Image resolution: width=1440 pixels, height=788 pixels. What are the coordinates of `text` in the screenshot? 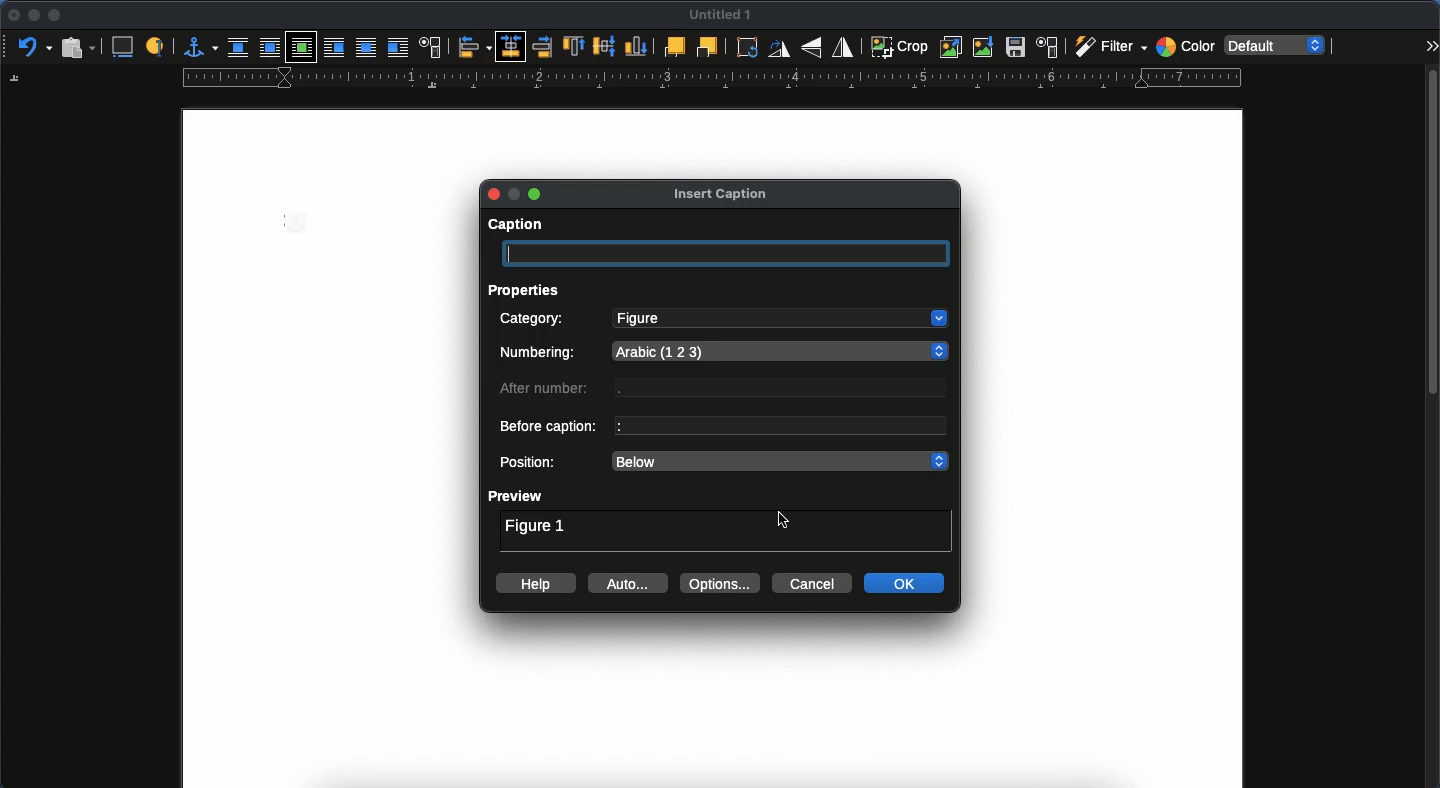 It's located at (788, 389).